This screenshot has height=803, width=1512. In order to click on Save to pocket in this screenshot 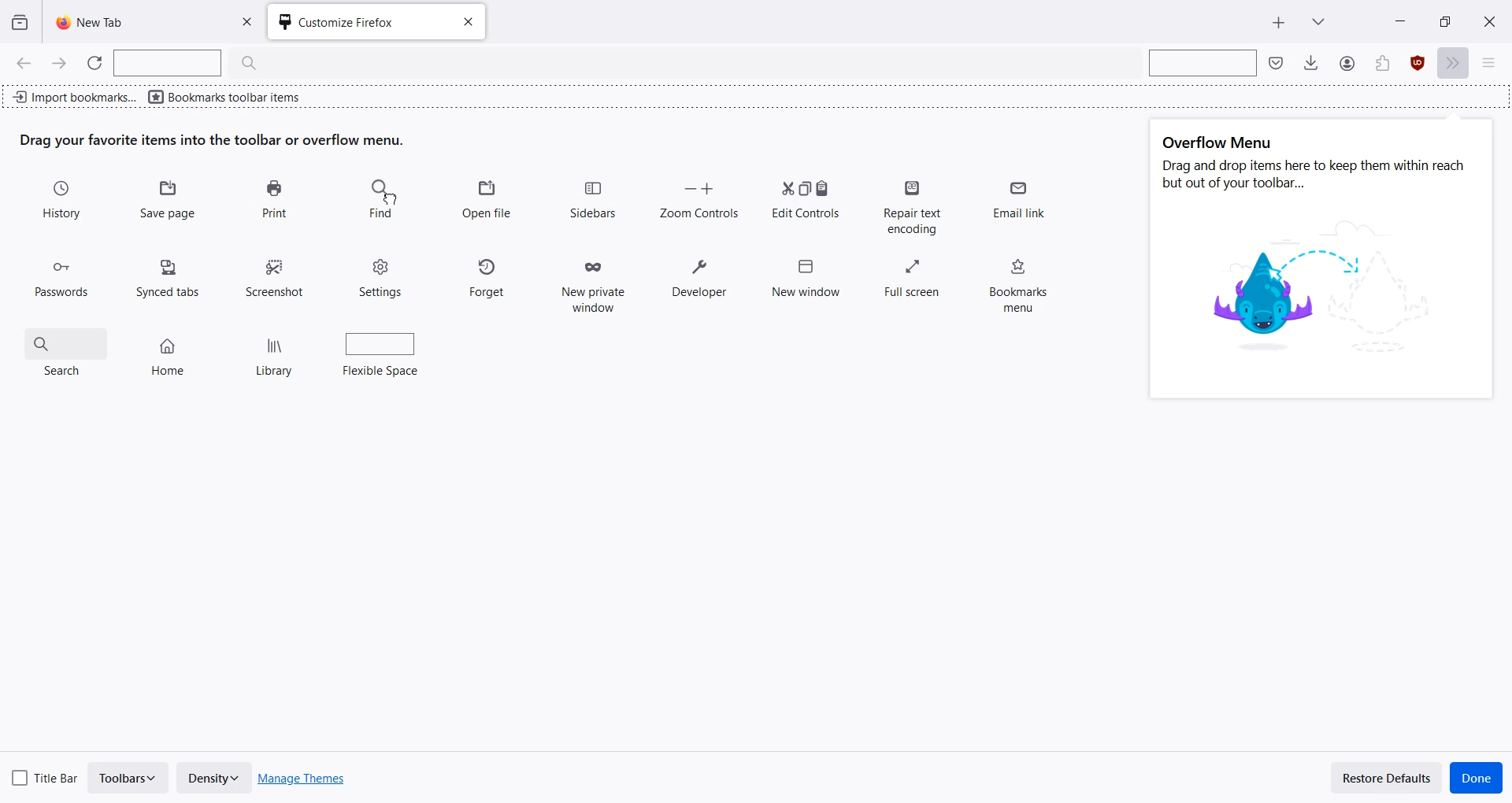, I will do `click(1277, 62)`.